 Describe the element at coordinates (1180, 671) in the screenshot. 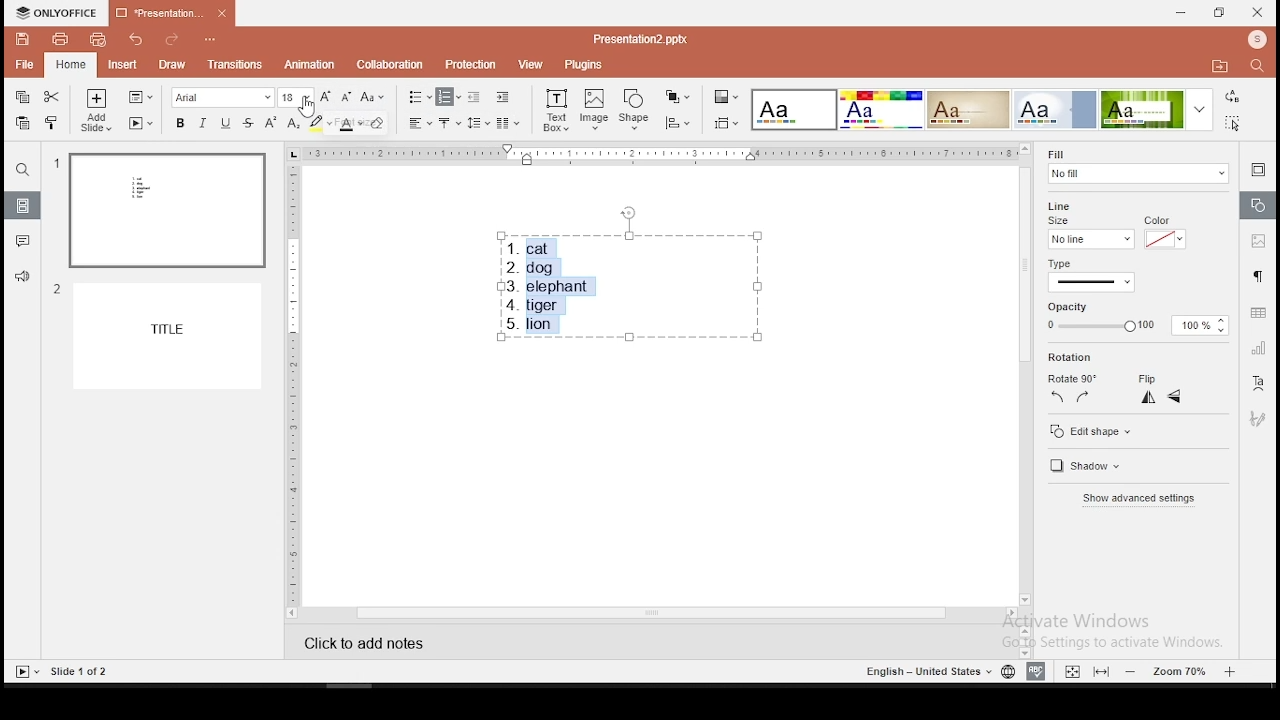

I see `zoom level` at that location.